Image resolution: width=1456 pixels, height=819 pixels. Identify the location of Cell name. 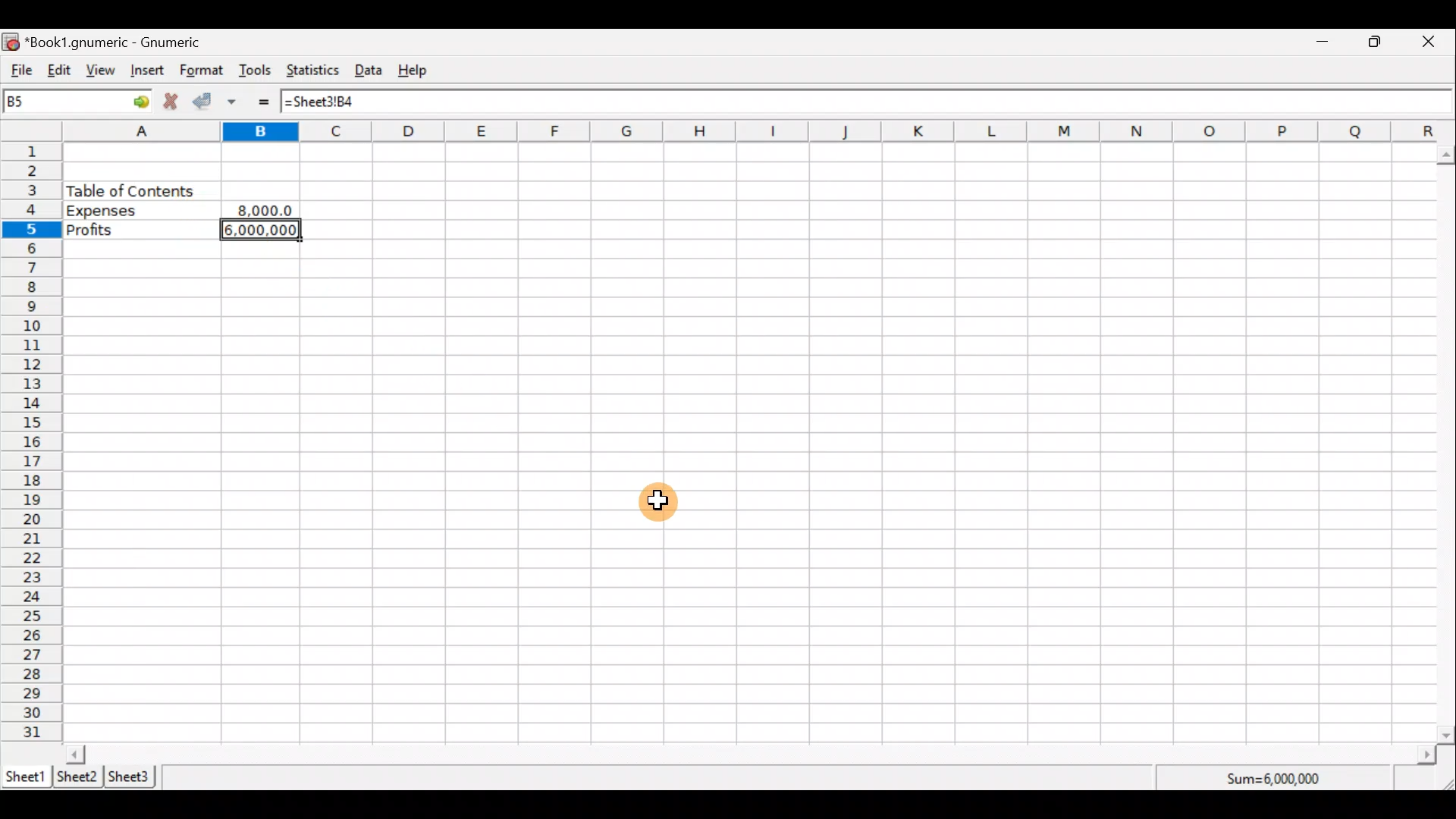
(78, 101).